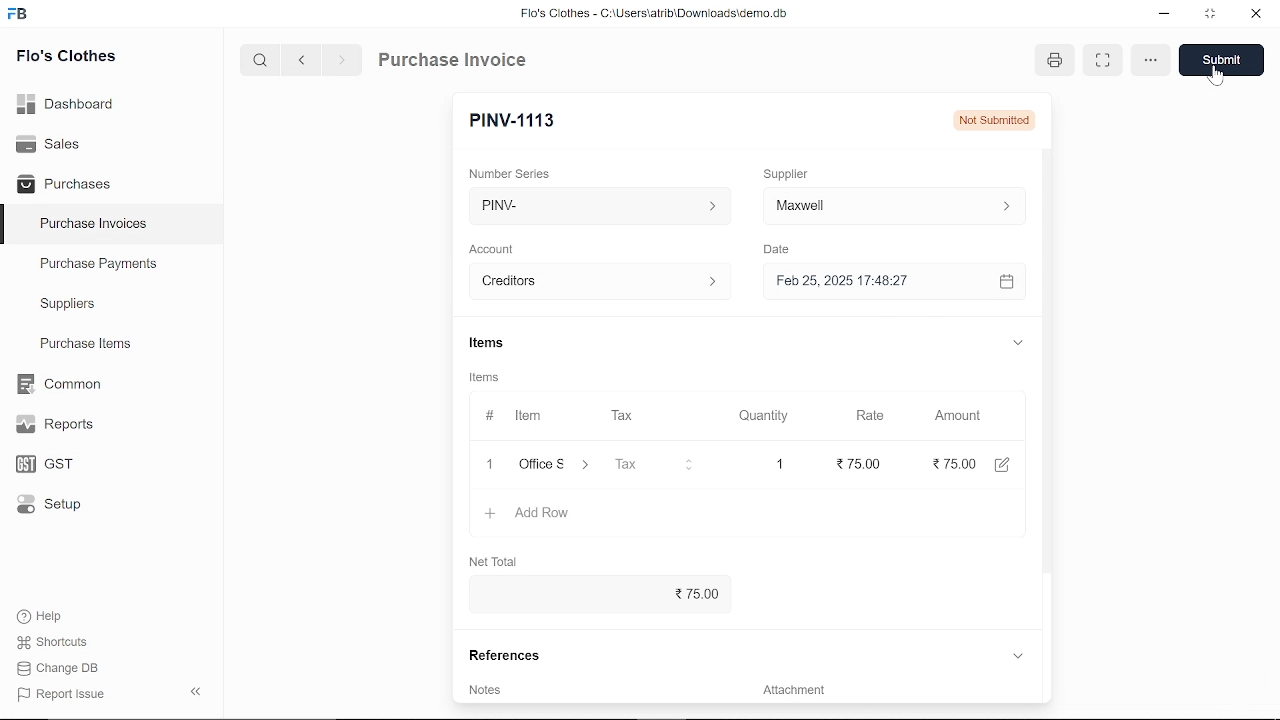  I want to click on not submitted, so click(990, 120).